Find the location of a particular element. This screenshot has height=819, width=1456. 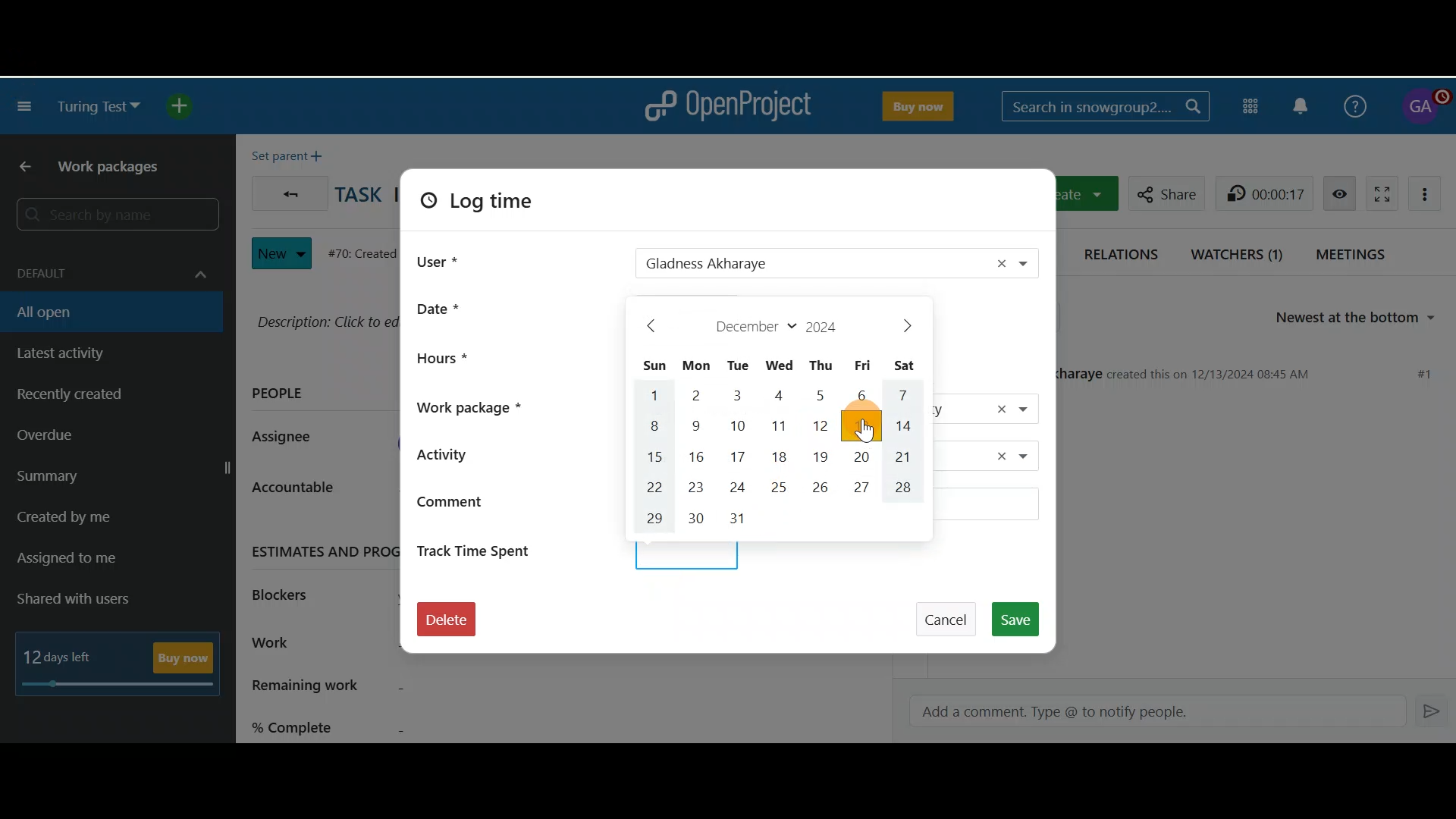

Wed is located at coordinates (781, 365).